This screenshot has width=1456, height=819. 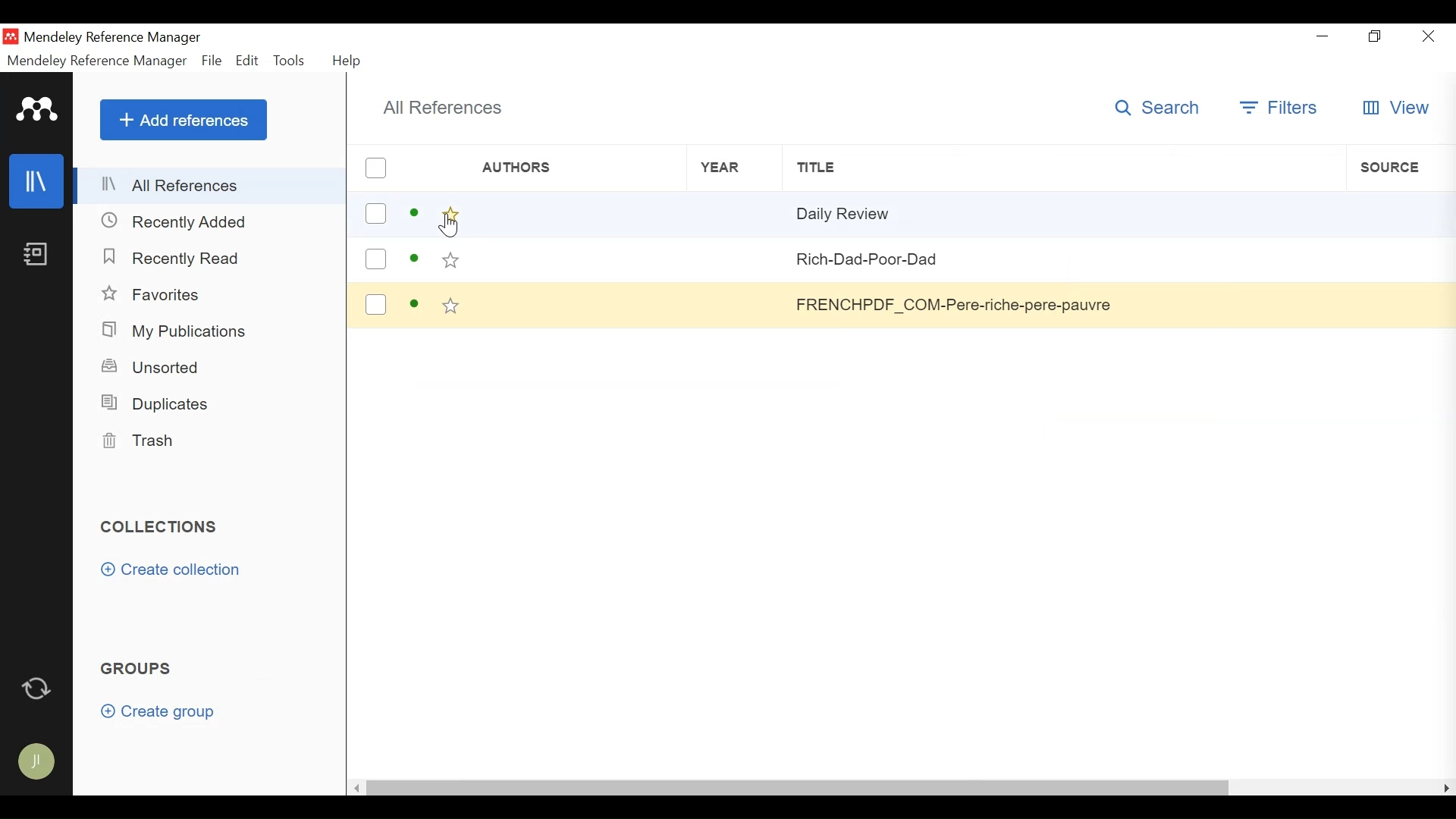 What do you see at coordinates (158, 403) in the screenshot?
I see `Duplicates` at bounding box center [158, 403].